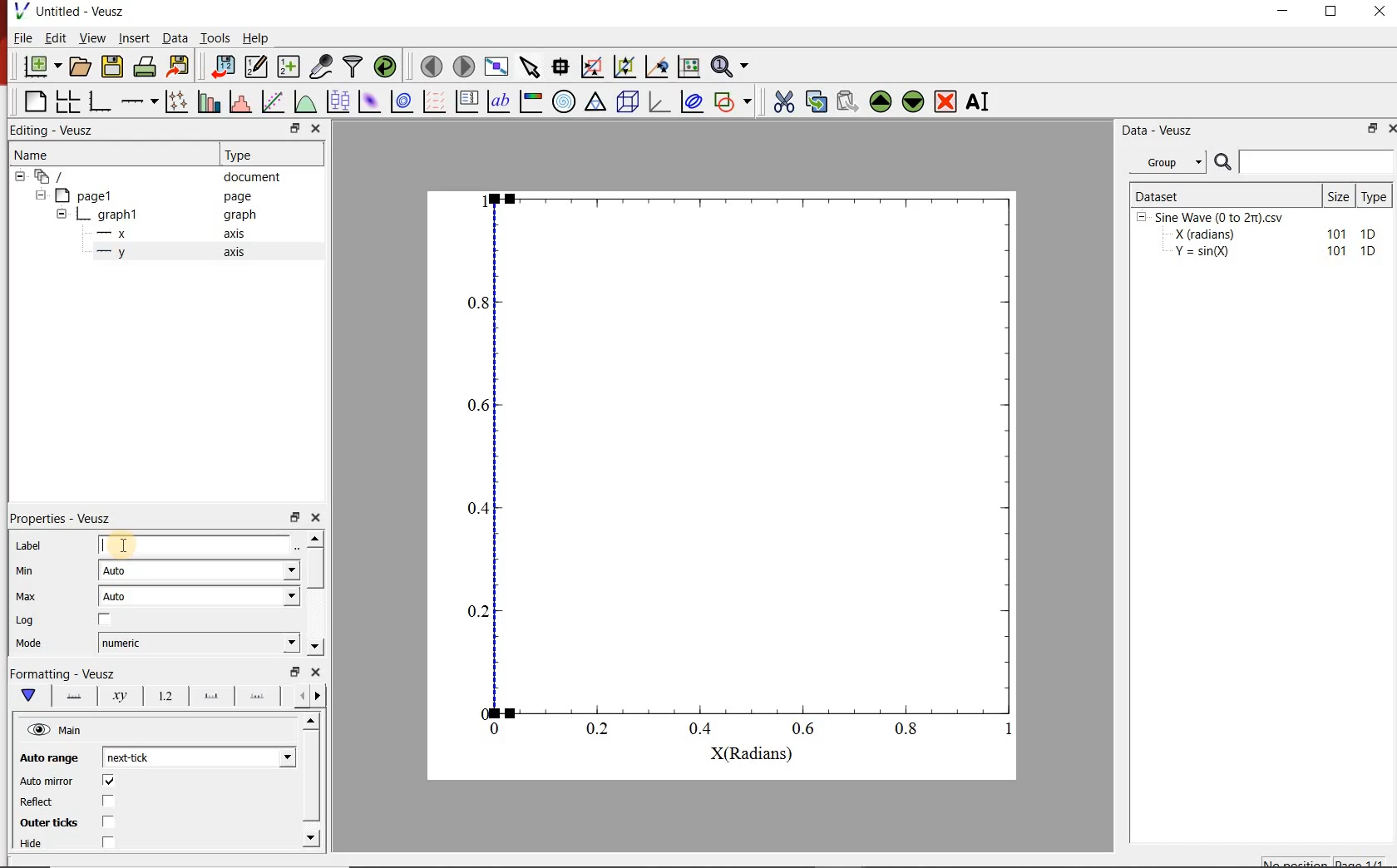 This screenshot has width=1397, height=868. What do you see at coordinates (339, 102) in the screenshot?
I see `plot box plots` at bounding box center [339, 102].